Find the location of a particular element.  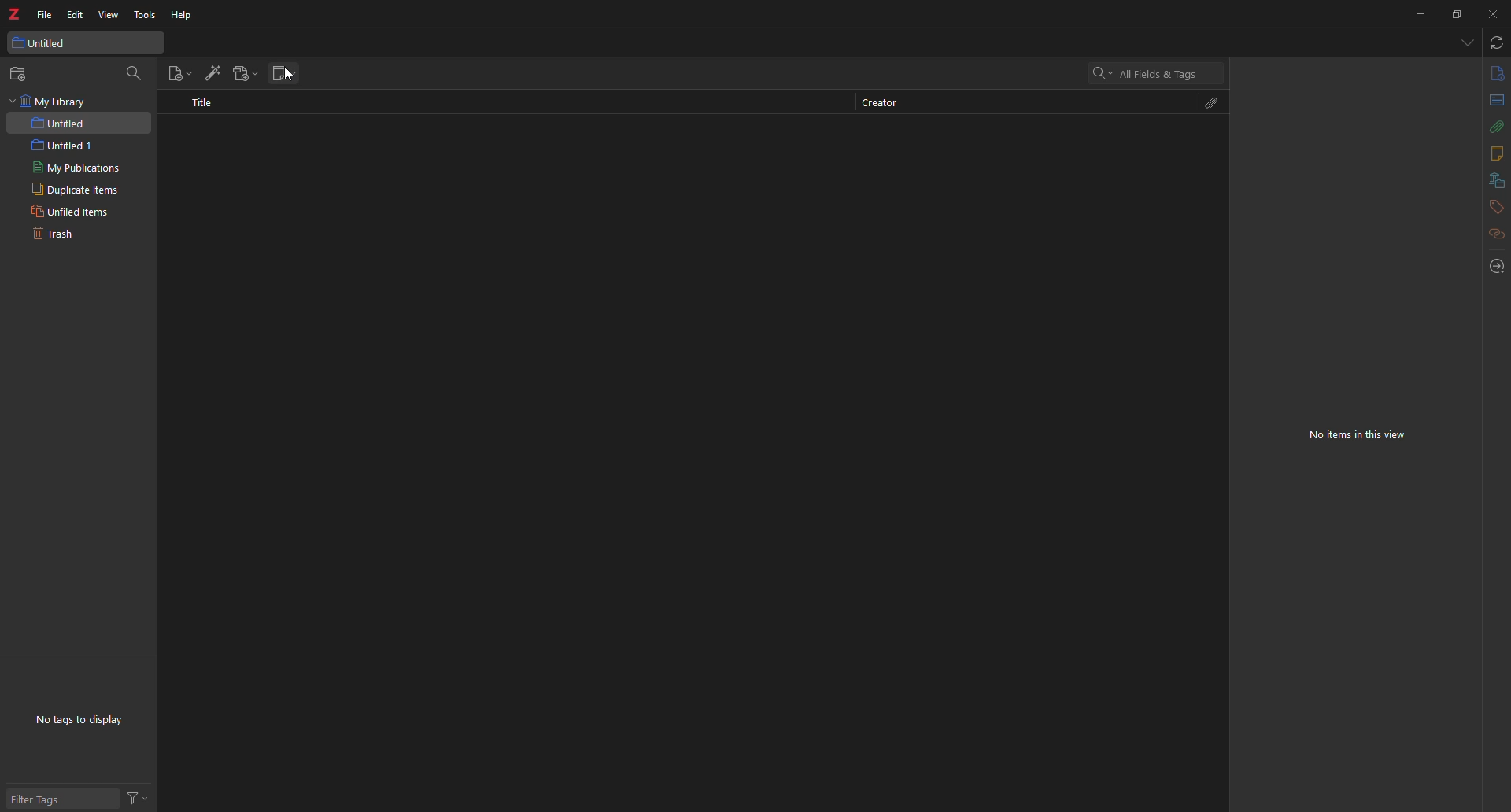

my library is located at coordinates (53, 102).